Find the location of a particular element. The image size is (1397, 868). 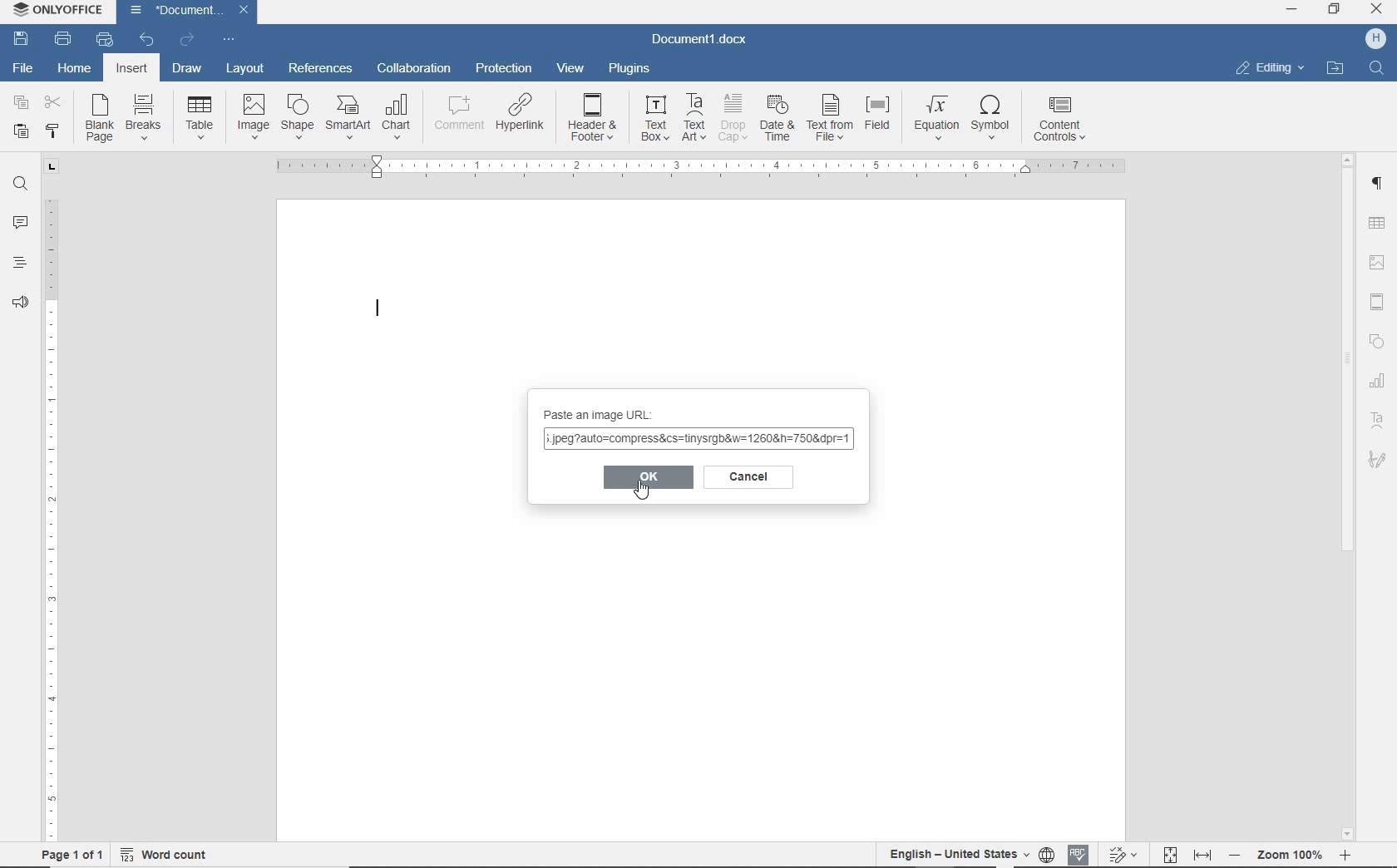

ok is located at coordinates (649, 476).